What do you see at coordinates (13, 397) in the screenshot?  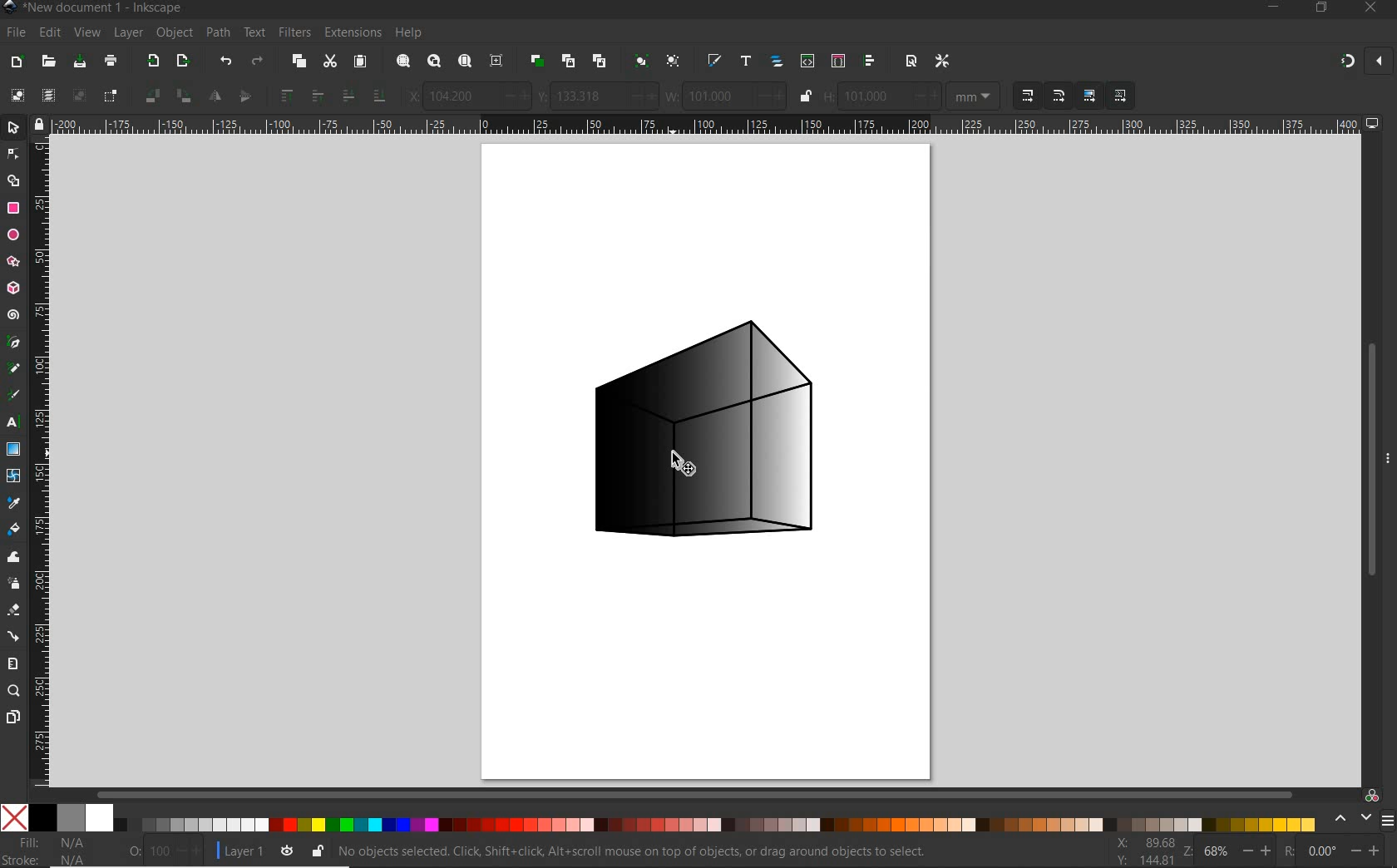 I see `CALLIGRAPHY TOOL` at bounding box center [13, 397].